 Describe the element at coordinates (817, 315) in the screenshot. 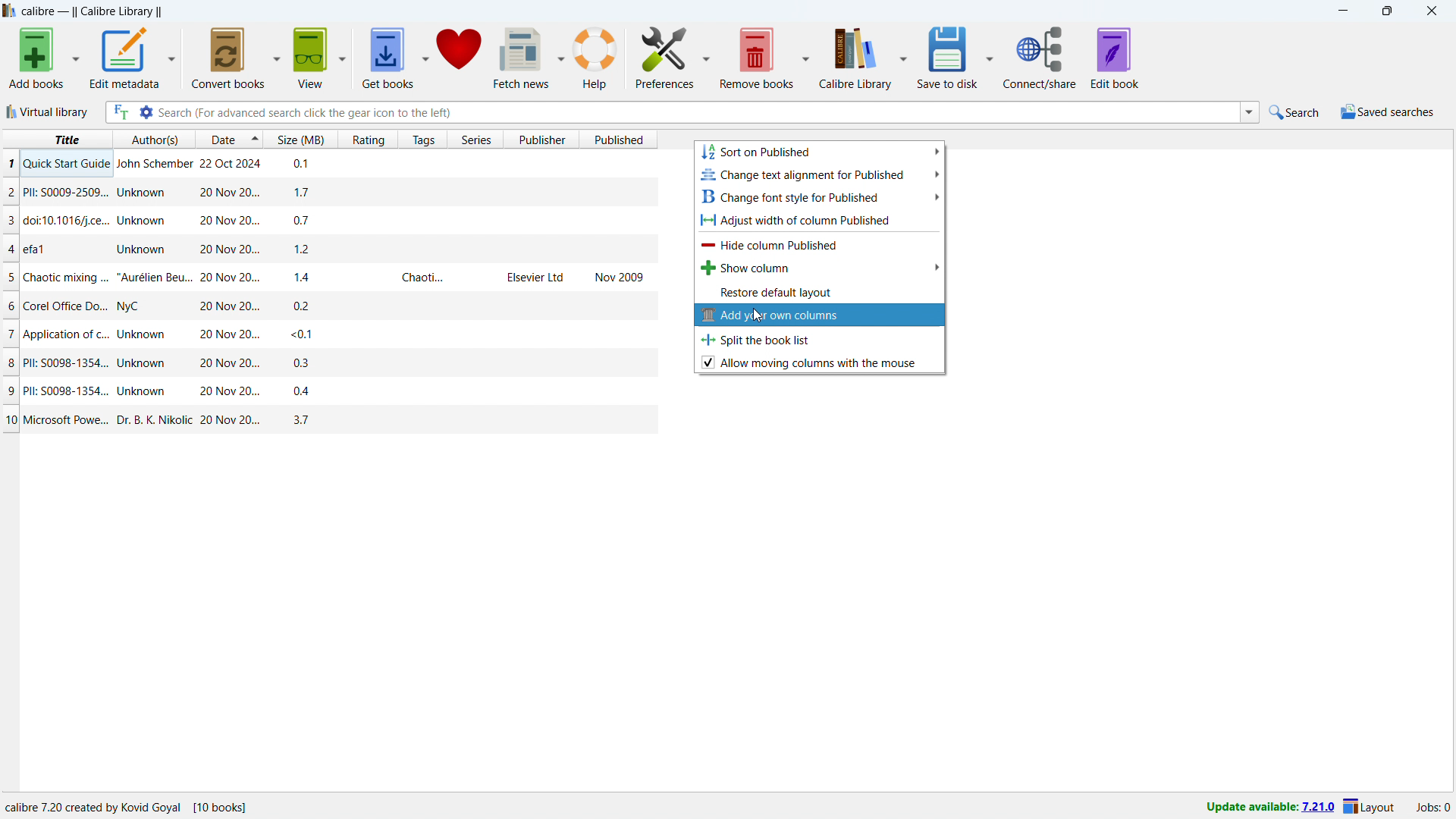

I see `add your own columns` at that location.